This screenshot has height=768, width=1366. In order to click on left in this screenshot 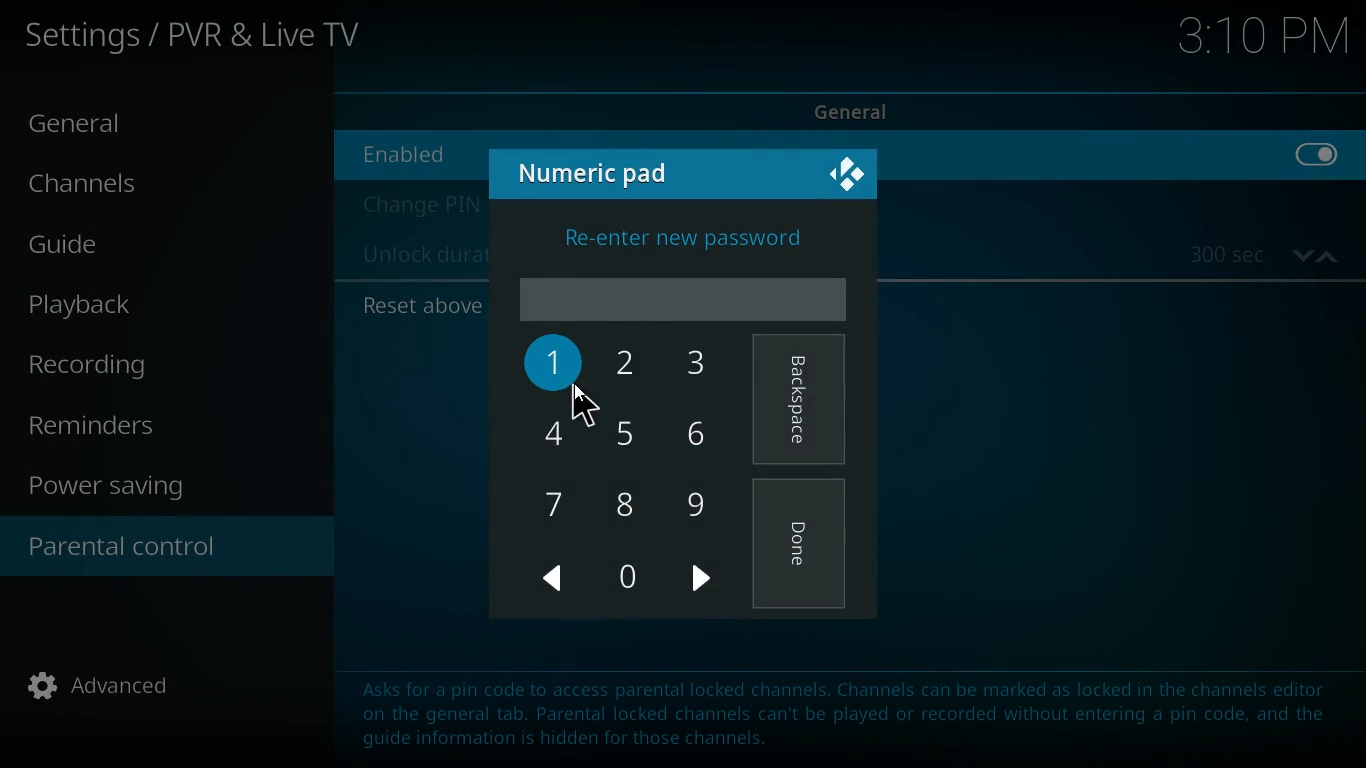, I will do `click(555, 579)`.